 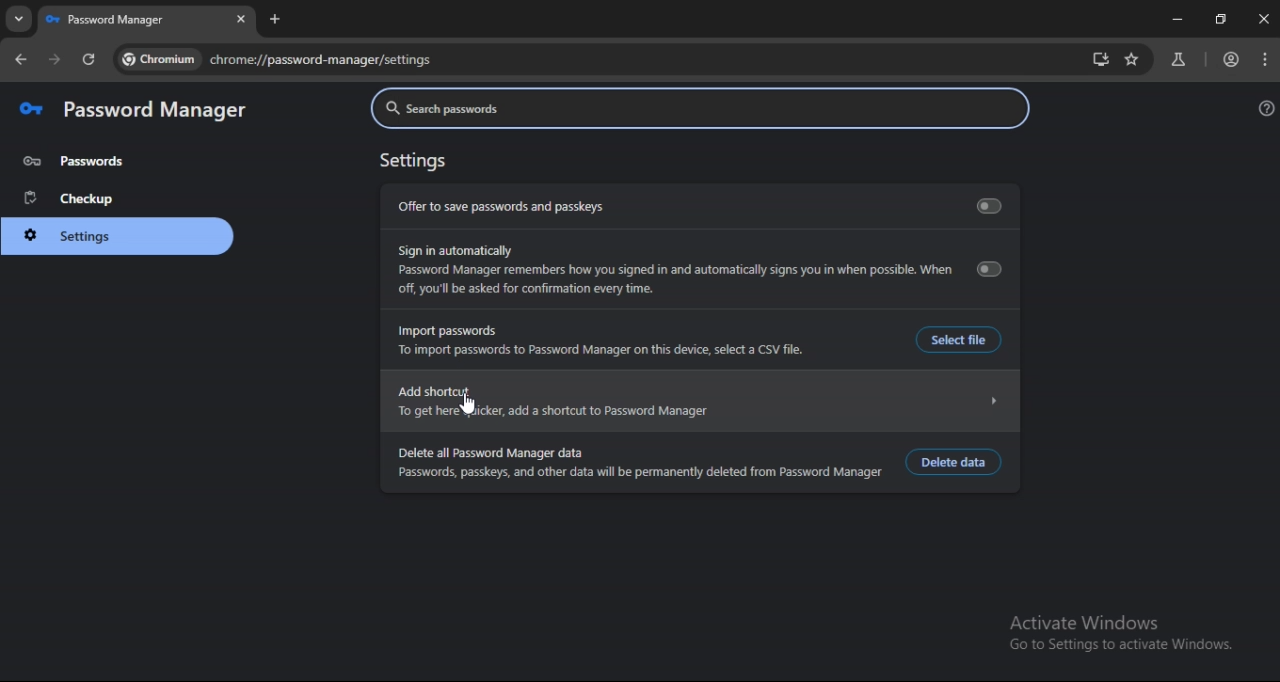 What do you see at coordinates (1102, 60) in the screenshot?
I see `install app` at bounding box center [1102, 60].